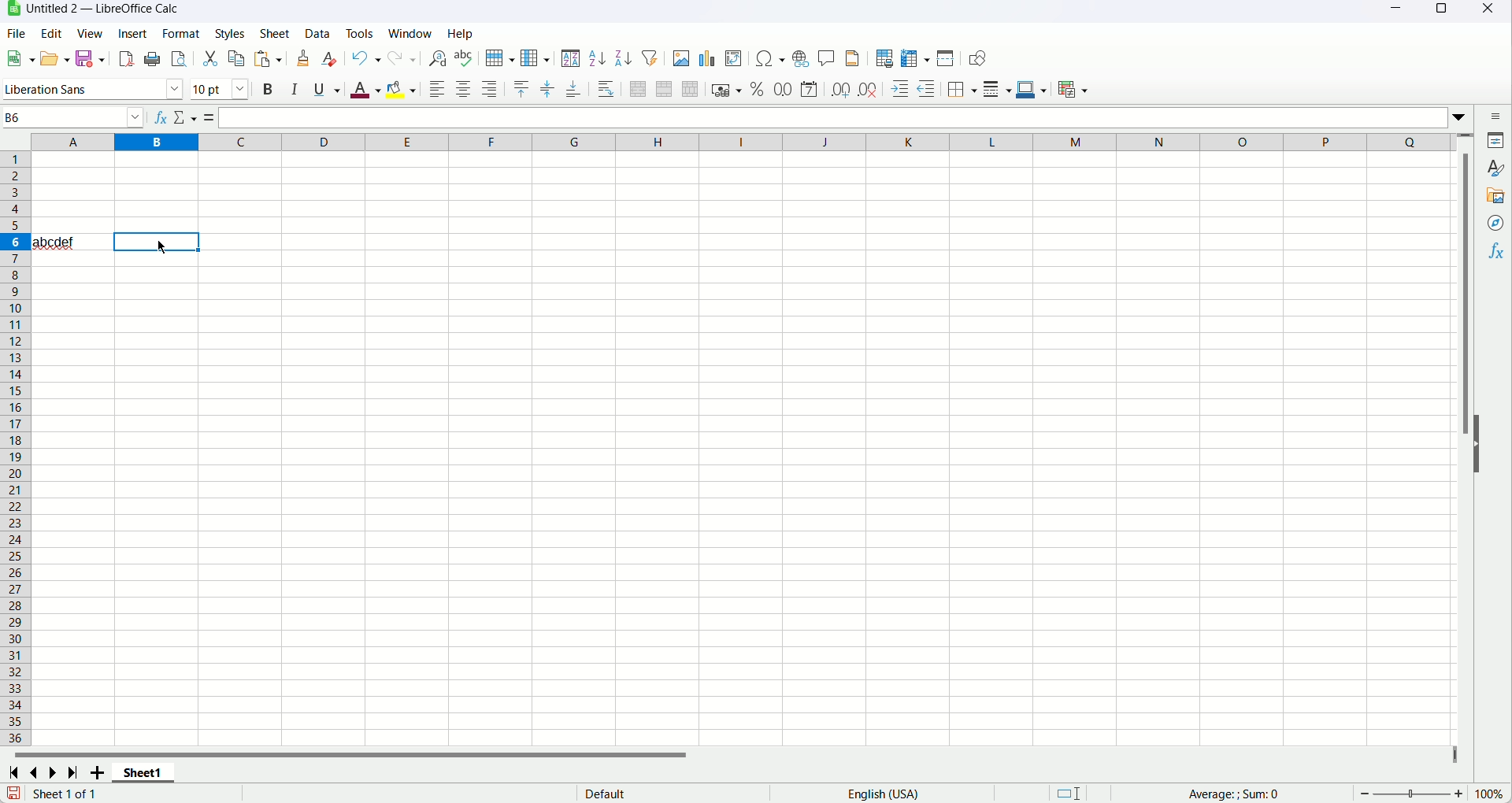 This screenshot has width=1512, height=803. What do you see at coordinates (735, 59) in the screenshot?
I see `insert pivot table` at bounding box center [735, 59].